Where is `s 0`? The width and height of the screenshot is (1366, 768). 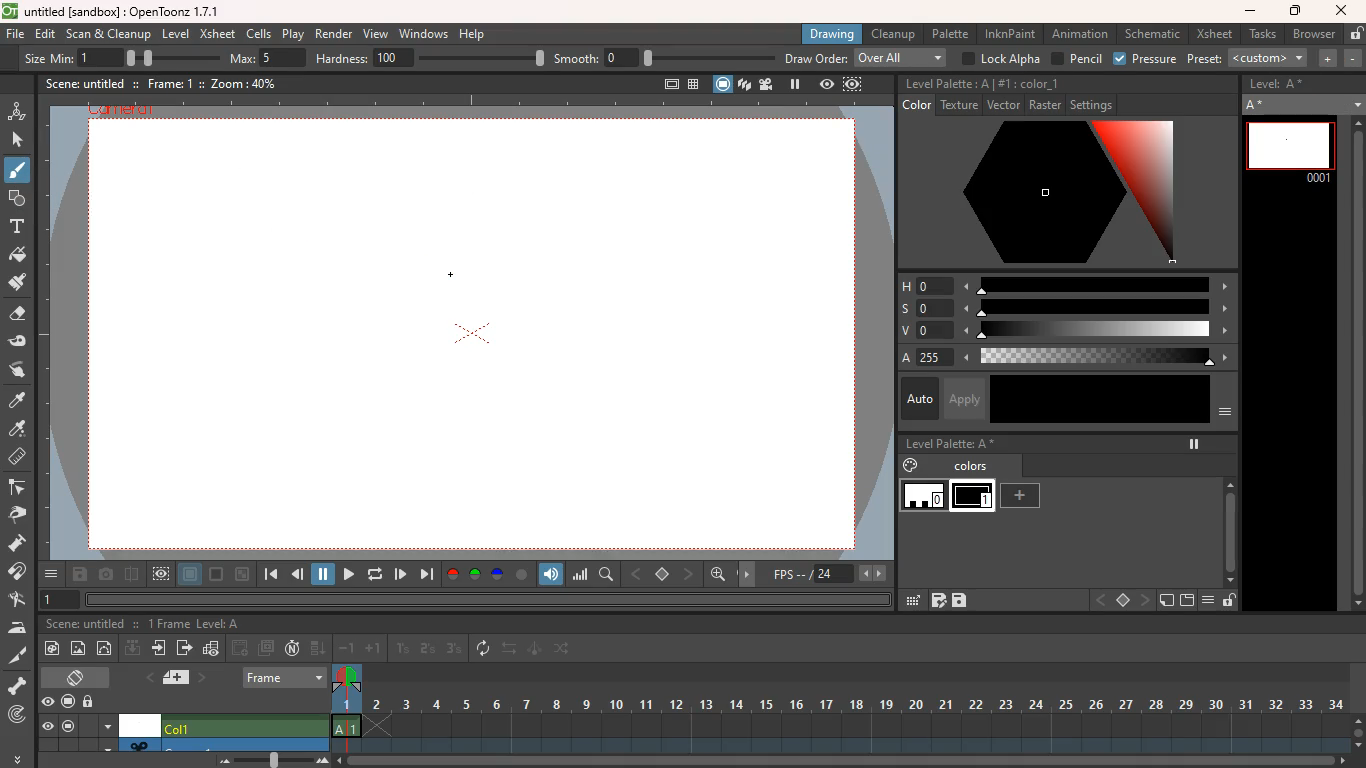 s 0 is located at coordinates (923, 307).